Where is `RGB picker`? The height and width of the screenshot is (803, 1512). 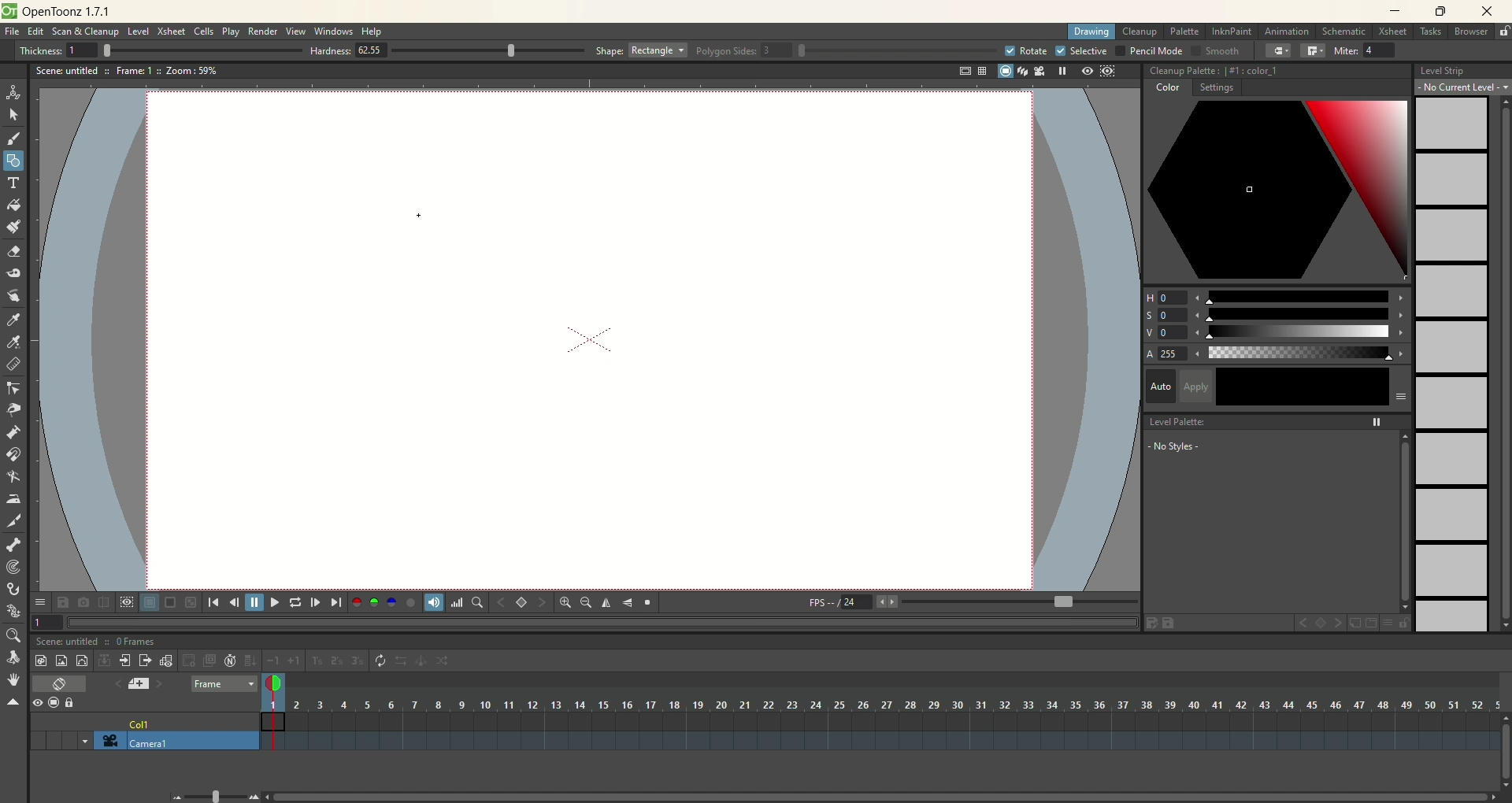 RGB picker is located at coordinates (15, 342).